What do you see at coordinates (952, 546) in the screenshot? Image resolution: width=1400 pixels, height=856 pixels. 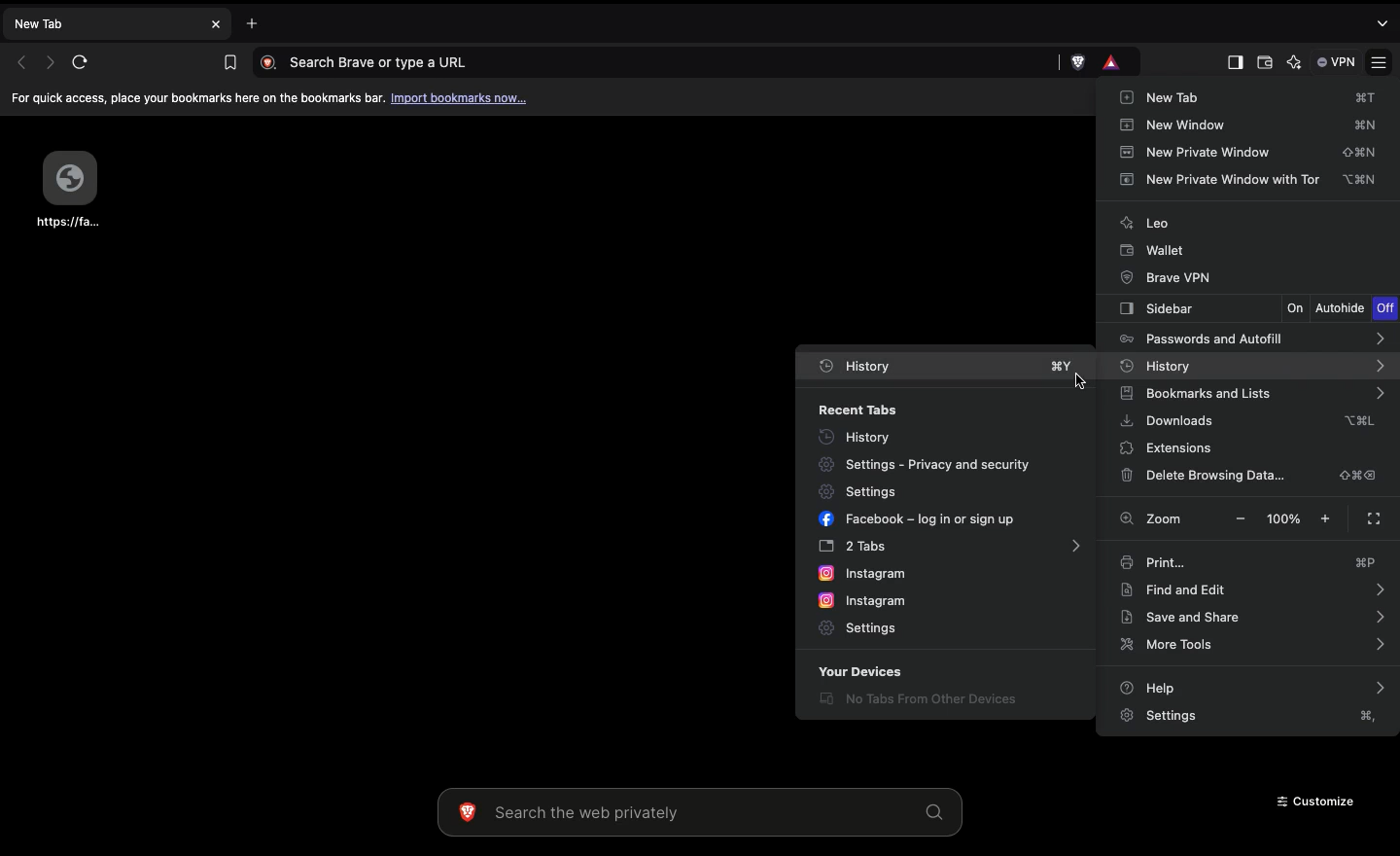 I see `2 tabs` at bounding box center [952, 546].